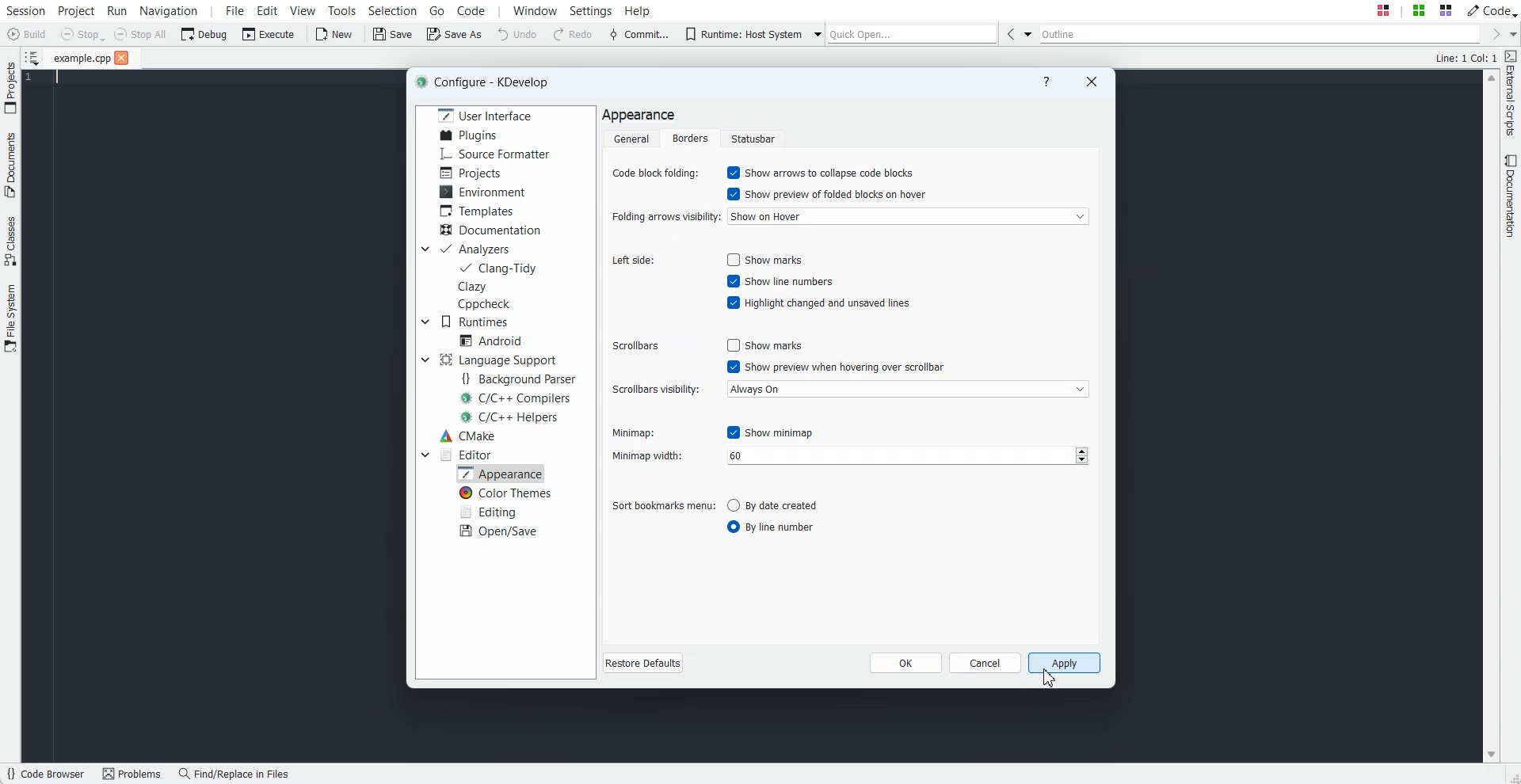 The height and width of the screenshot is (784, 1521). What do you see at coordinates (81, 58) in the screenshot?
I see `File` at bounding box center [81, 58].